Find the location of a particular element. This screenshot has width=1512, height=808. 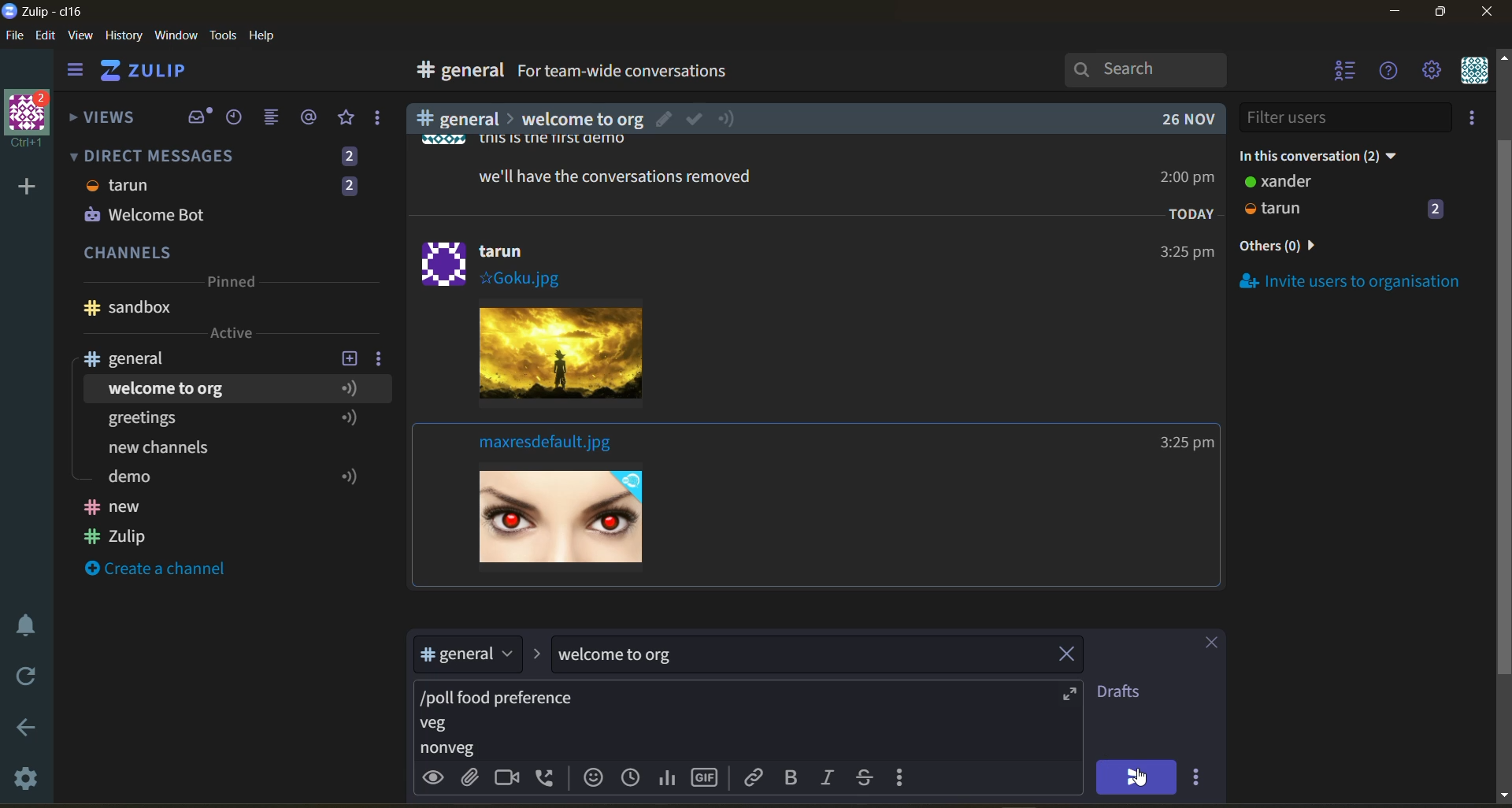

strikethrough is located at coordinates (869, 776).